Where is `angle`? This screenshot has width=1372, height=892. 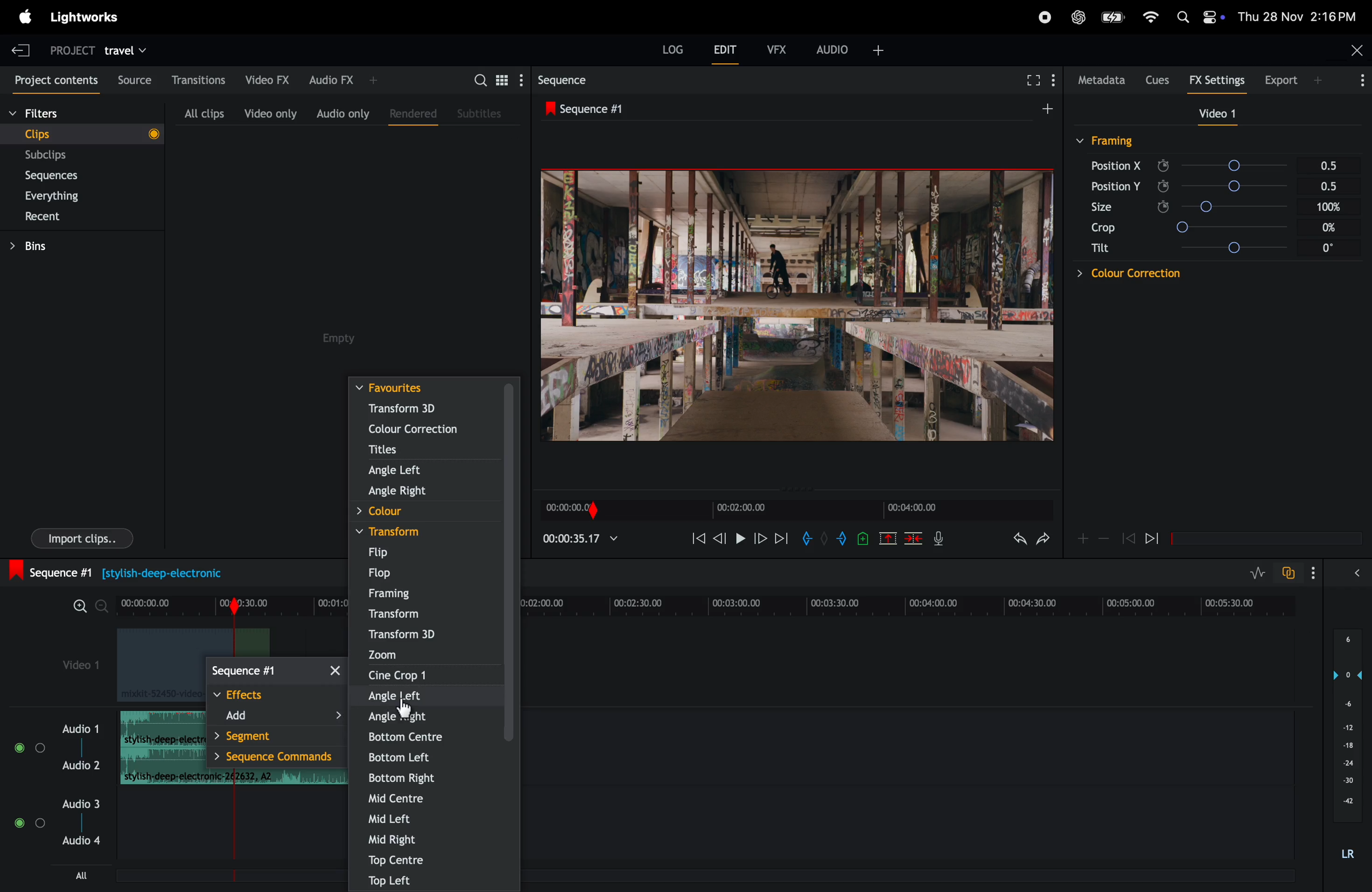 angle is located at coordinates (1261, 247).